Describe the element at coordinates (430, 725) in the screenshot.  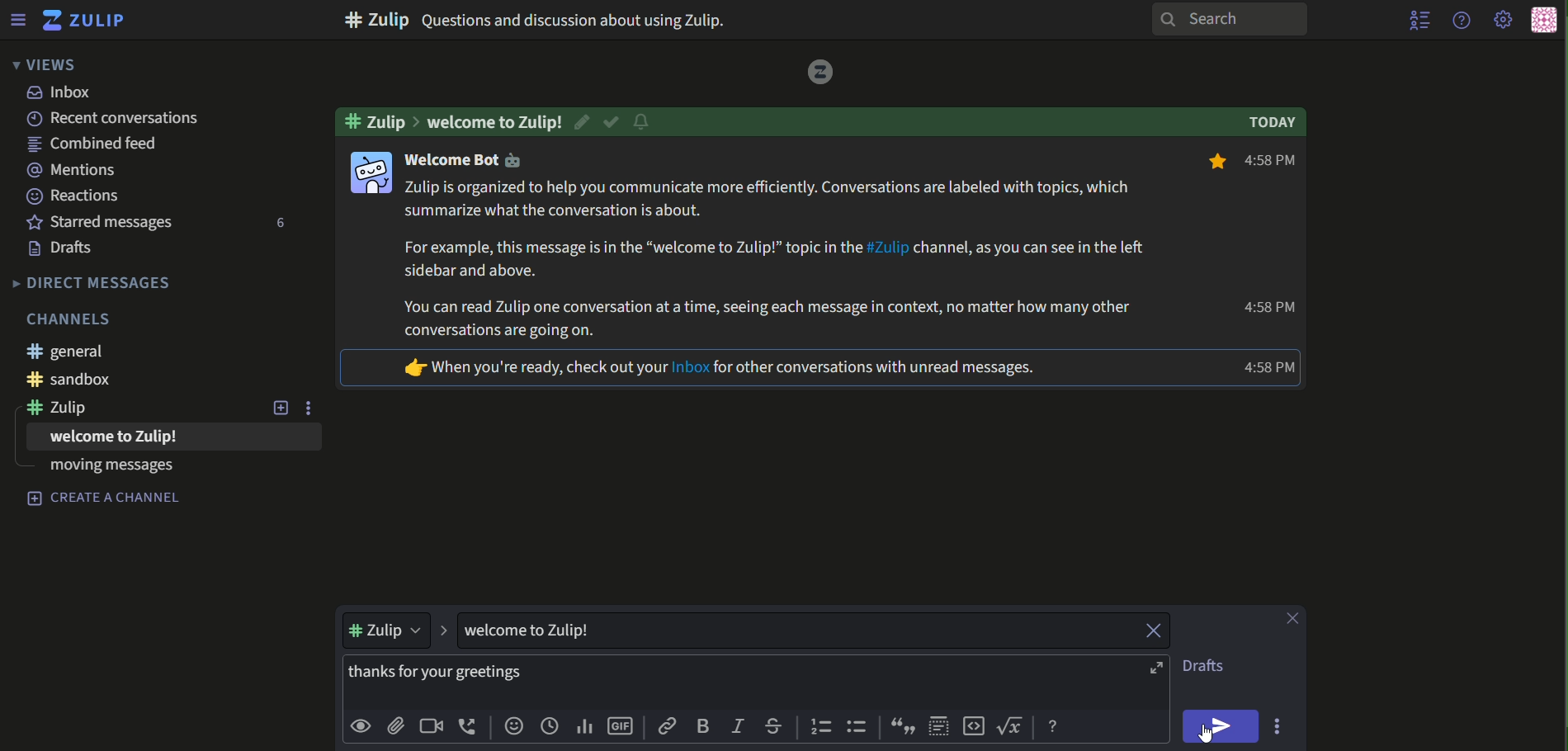
I see `add video call` at that location.